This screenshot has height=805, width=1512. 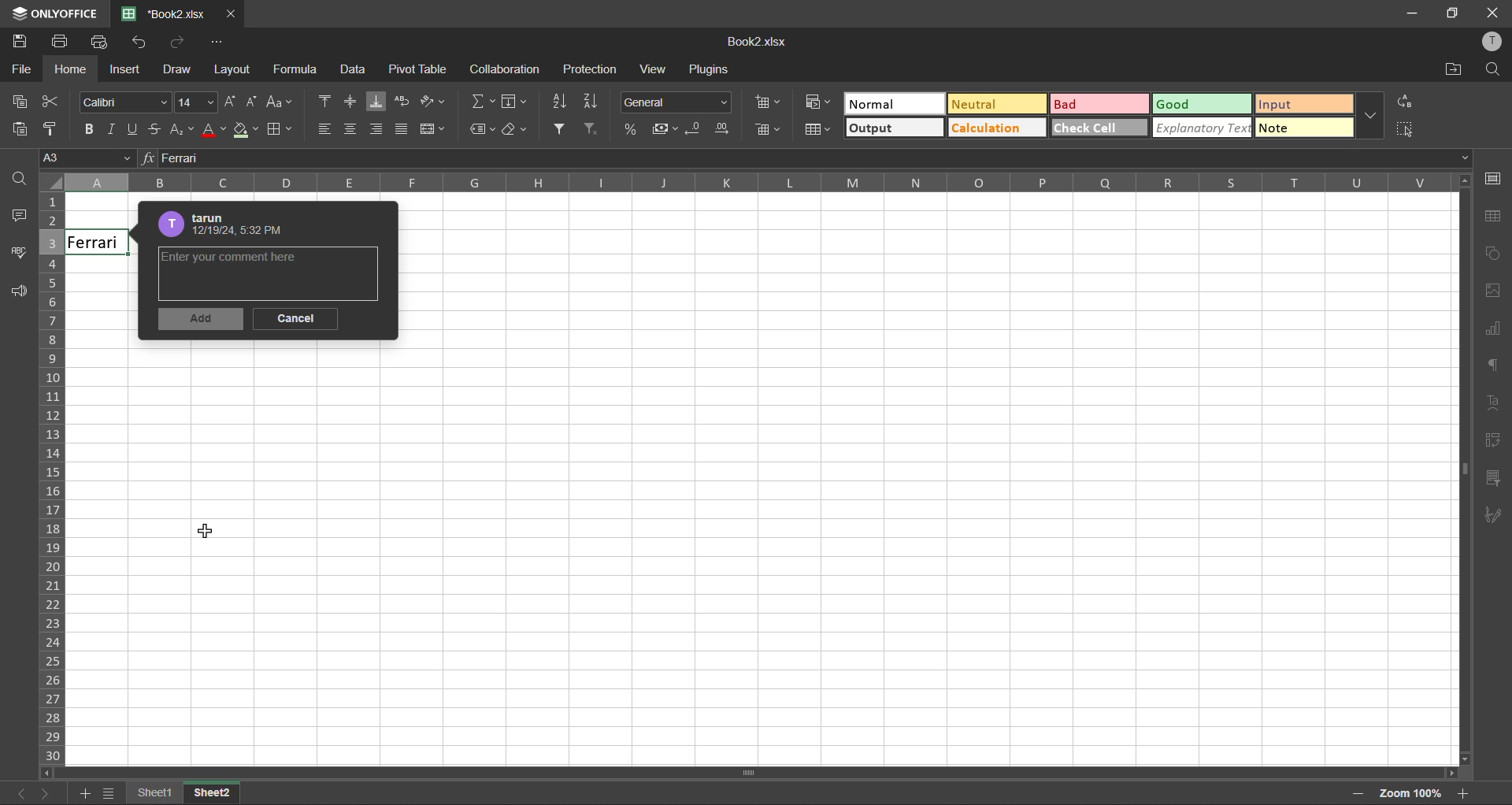 I want to click on increment size, so click(x=231, y=100).